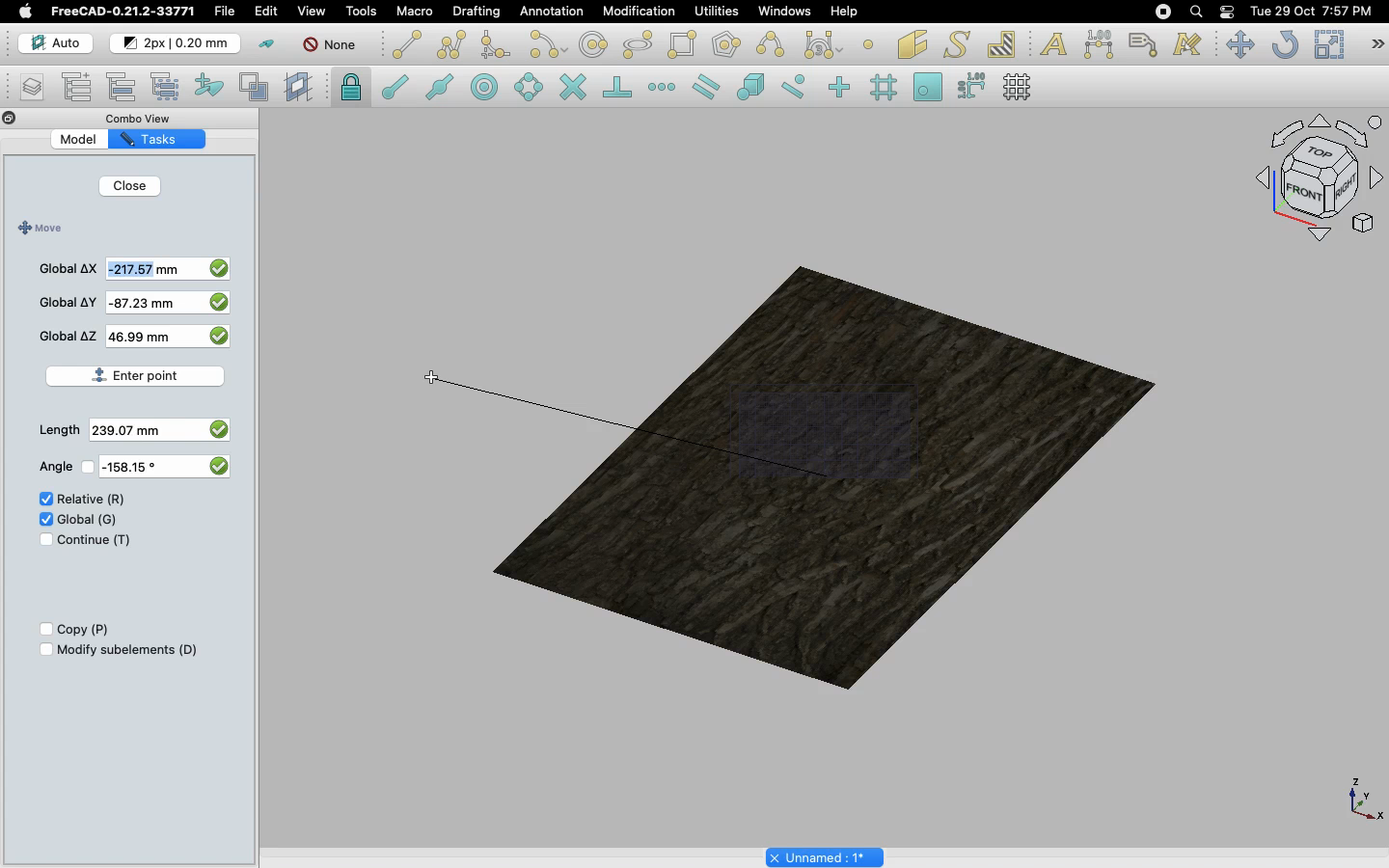 The image size is (1389, 868). What do you see at coordinates (1318, 181) in the screenshot?
I see `Navigation styles` at bounding box center [1318, 181].